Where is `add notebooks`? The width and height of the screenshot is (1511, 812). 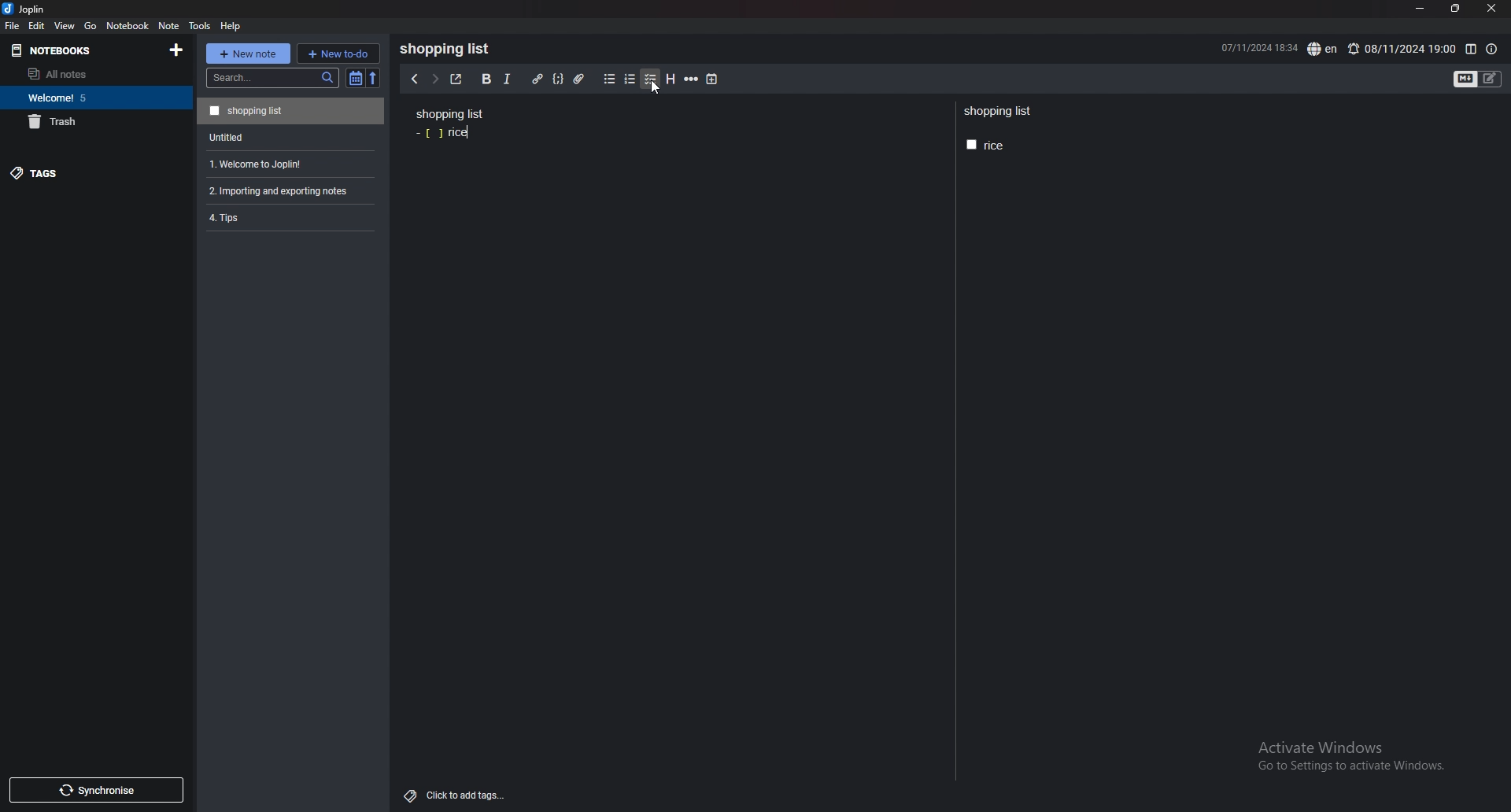
add notebooks is located at coordinates (177, 49).